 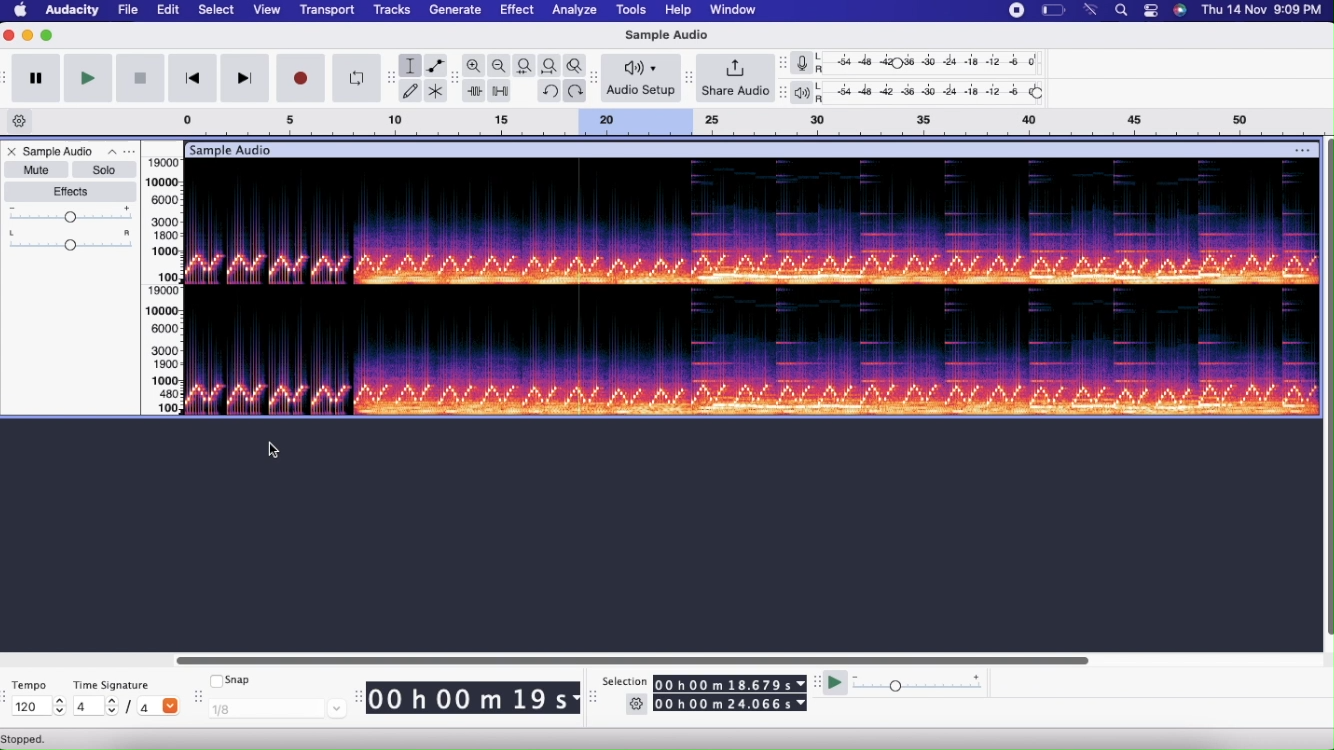 What do you see at coordinates (1152, 10) in the screenshot?
I see `control panel` at bounding box center [1152, 10].